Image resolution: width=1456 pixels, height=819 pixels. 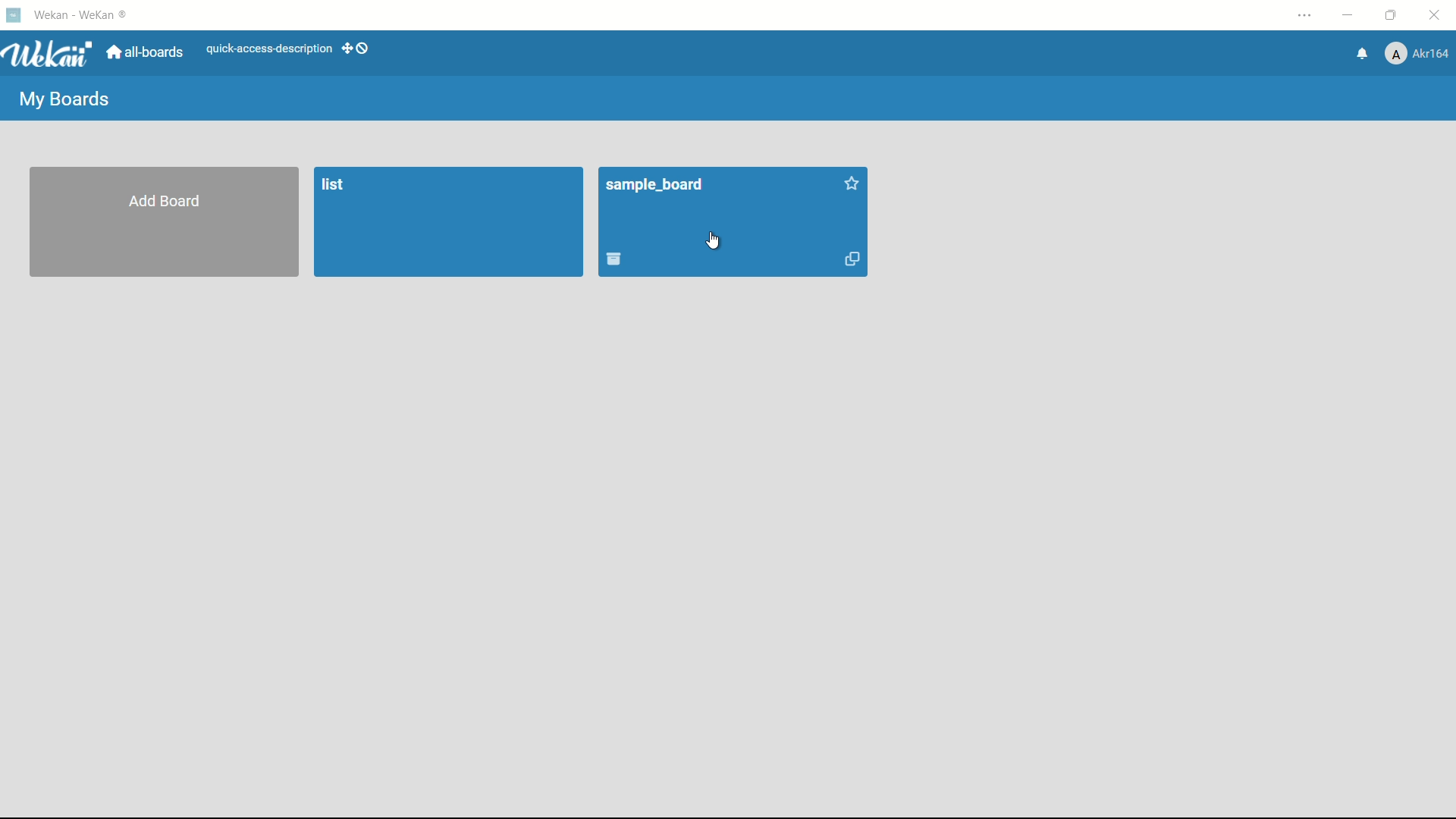 What do you see at coordinates (654, 186) in the screenshot?
I see `board name` at bounding box center [654, 186].